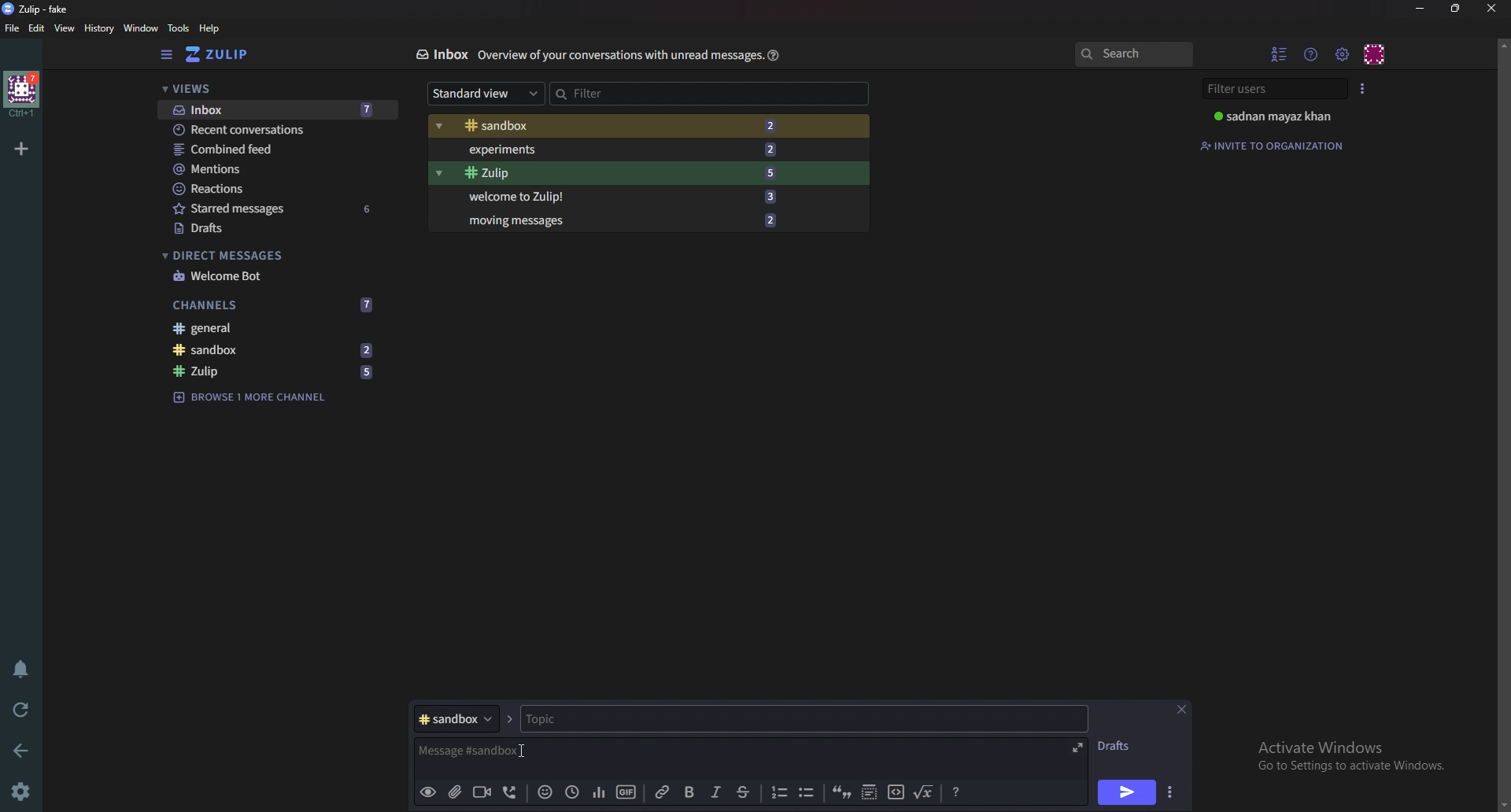  I want to click on Enable do not disturb, so click(19, 670).